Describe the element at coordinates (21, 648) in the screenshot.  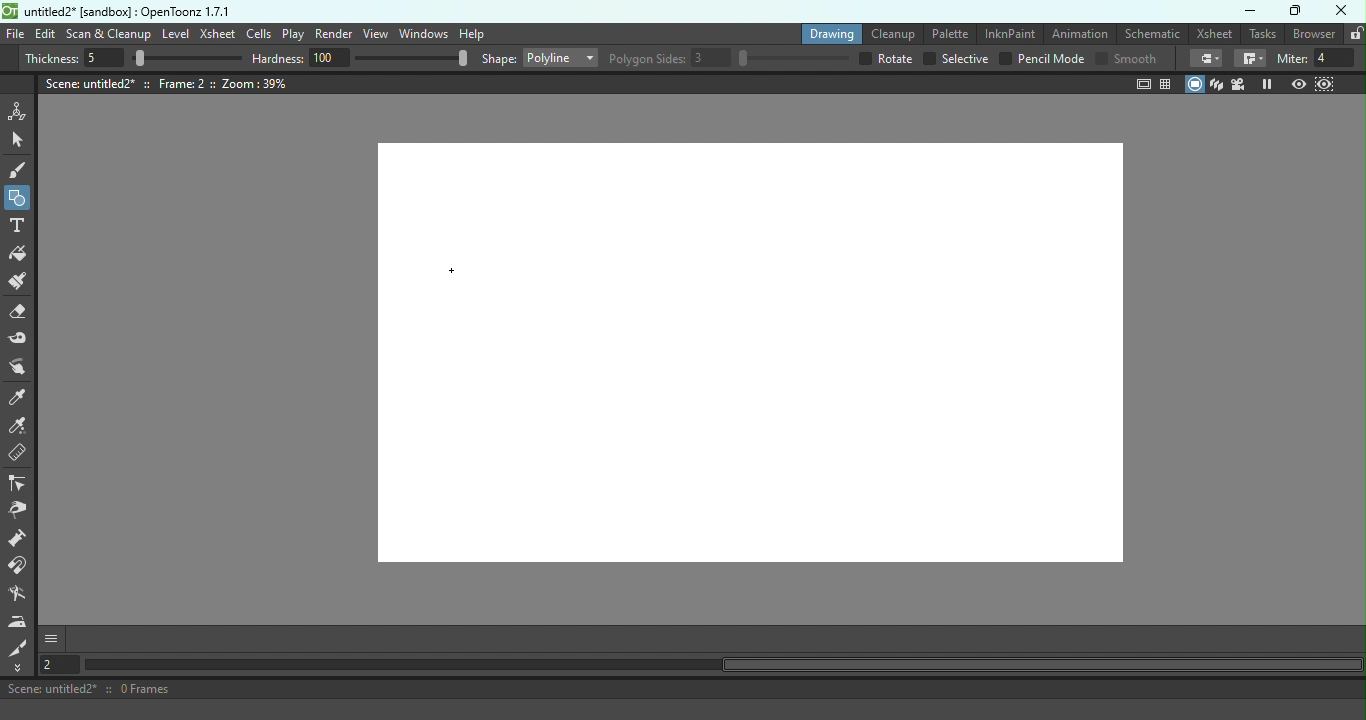
I see `Cutter tool` at that location.